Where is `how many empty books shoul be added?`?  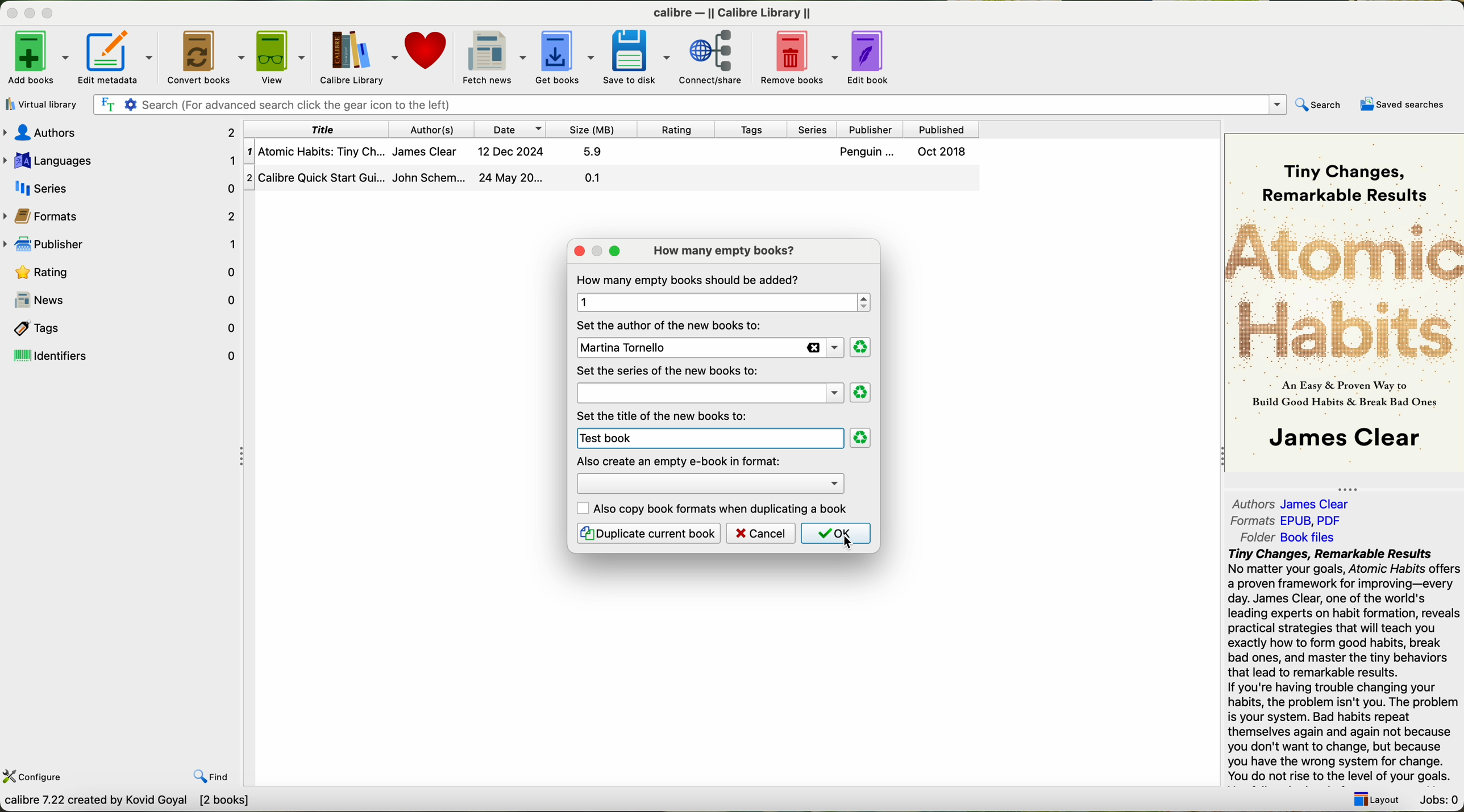
how many empty books shoul be added? is located at coordinates (690, 280).